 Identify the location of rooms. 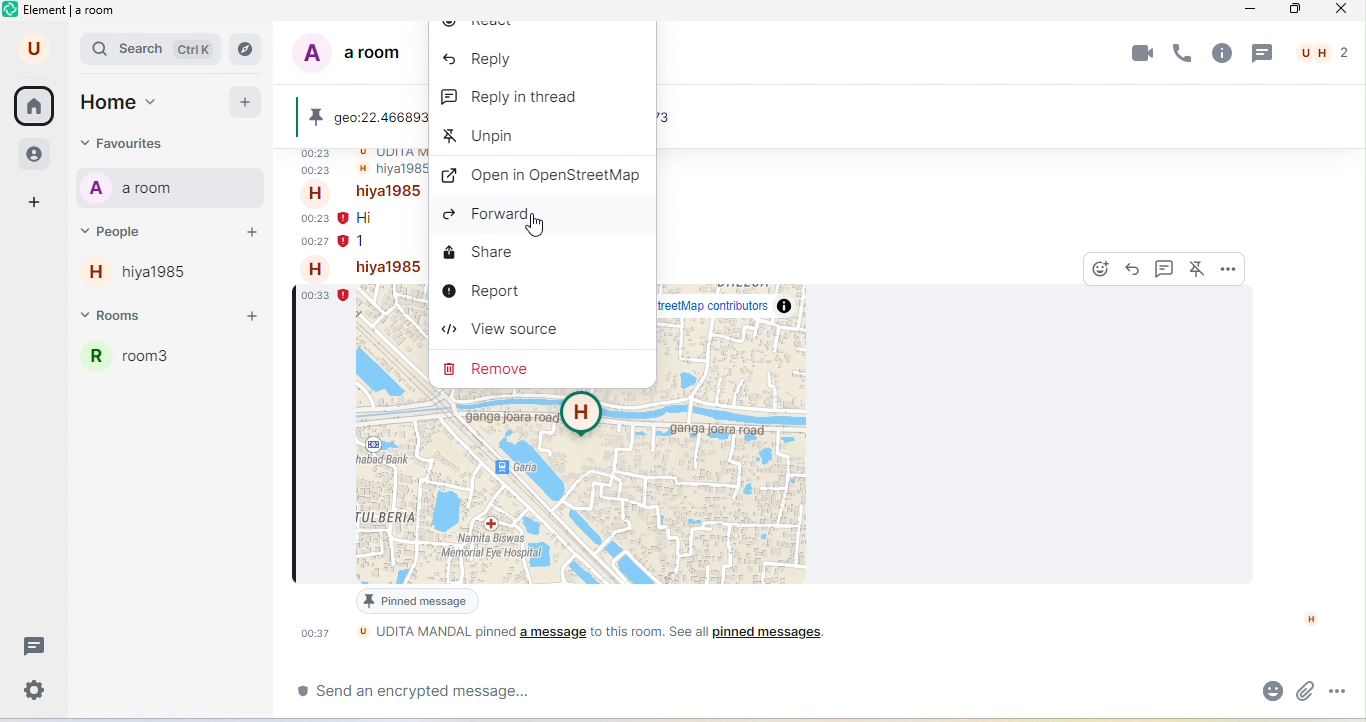
(135, 318).